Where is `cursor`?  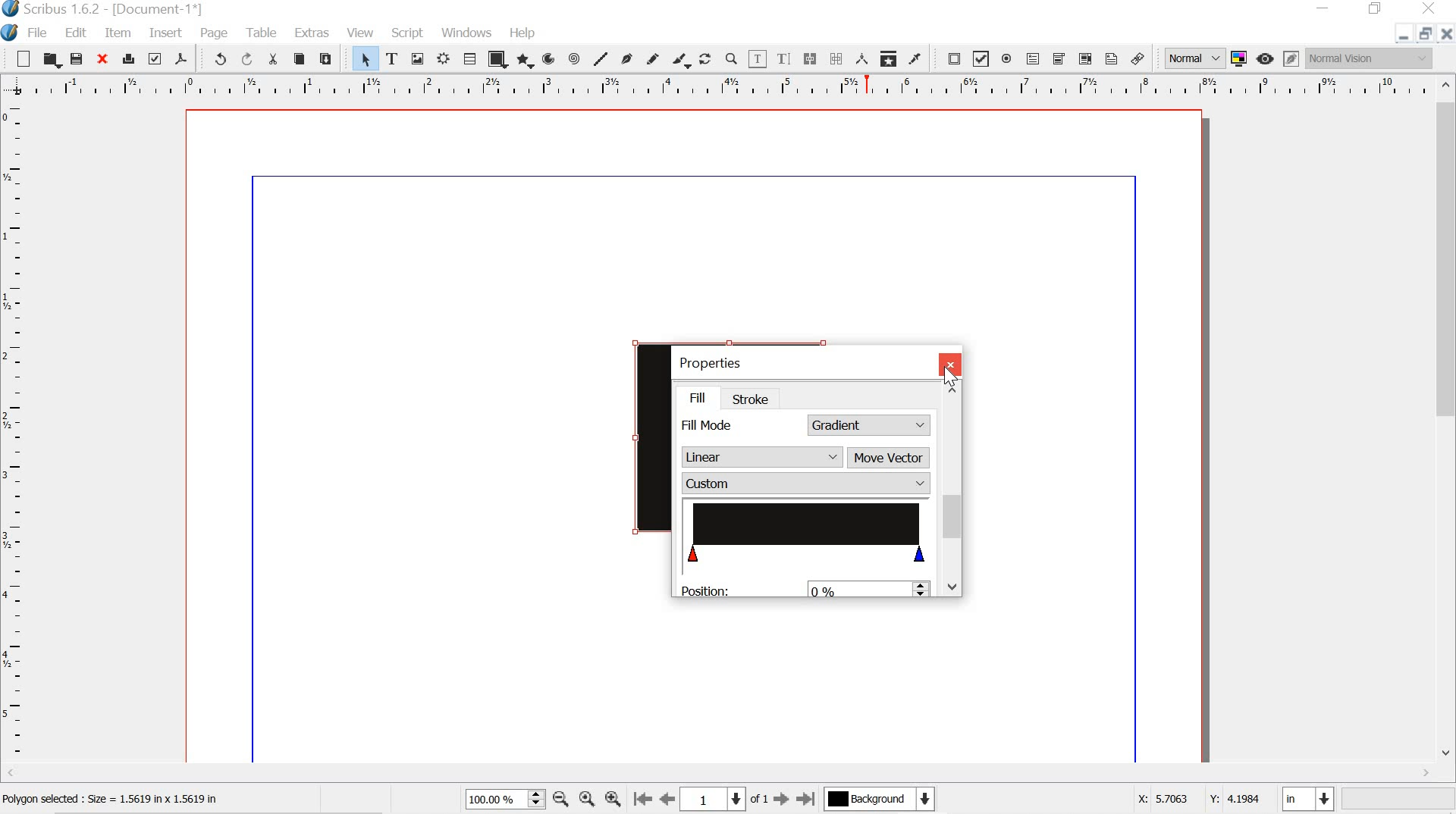 cursor is located at coordinates (950, 380).